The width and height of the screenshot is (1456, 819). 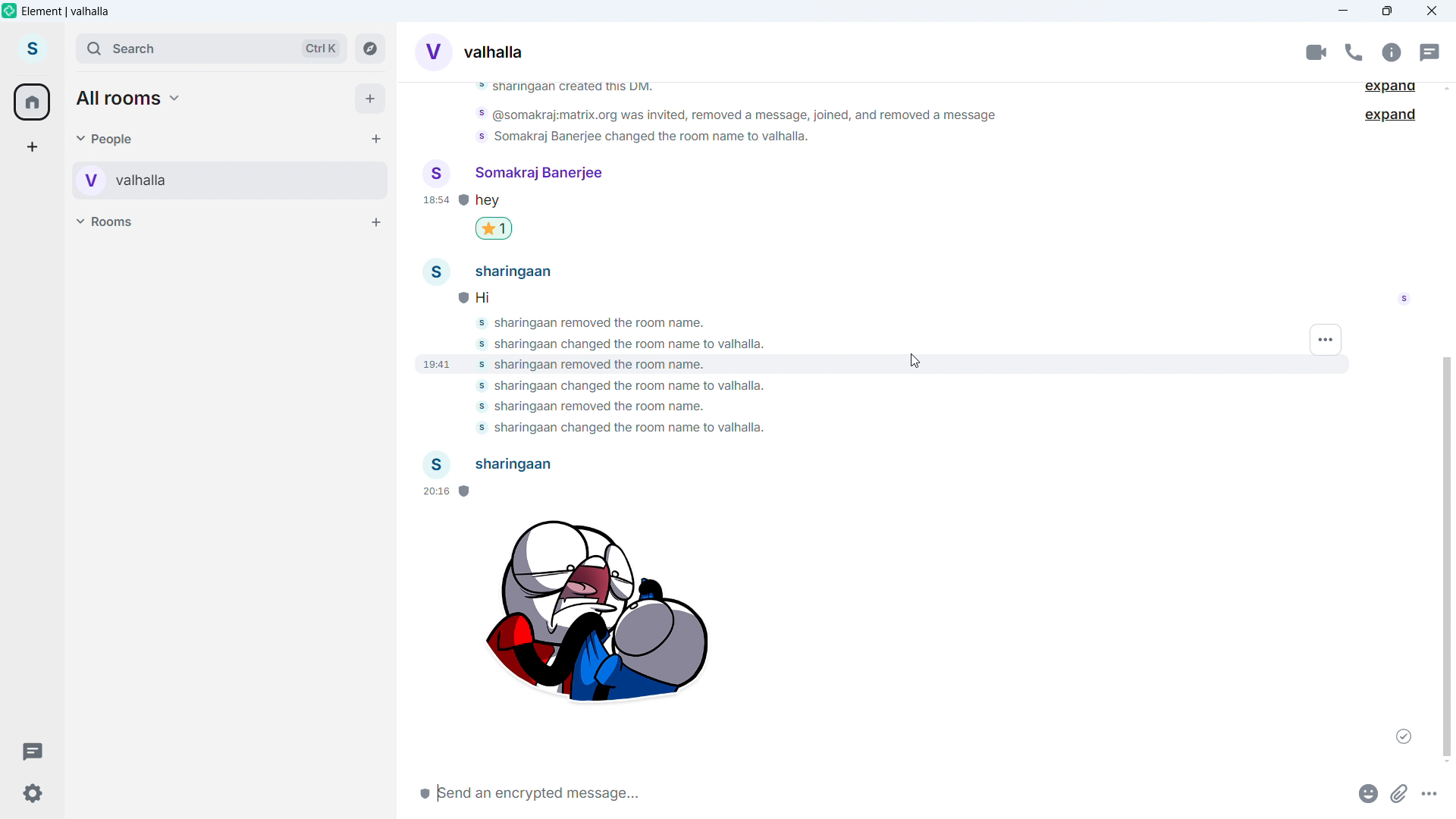 I want to click on Close , so click(x=1432, y=11).